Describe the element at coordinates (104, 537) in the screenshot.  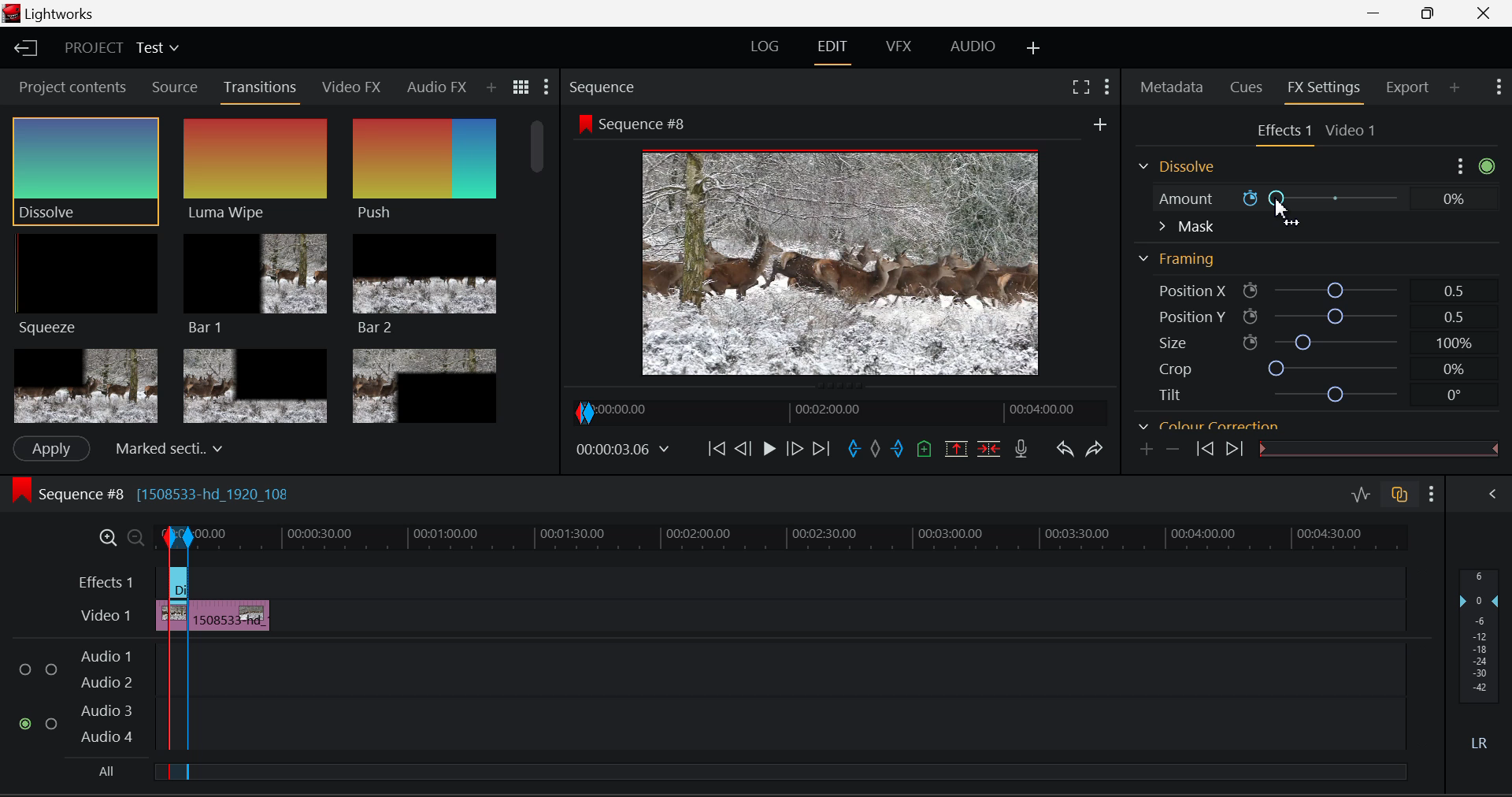
I see `Timeline Zoom In` at that location.